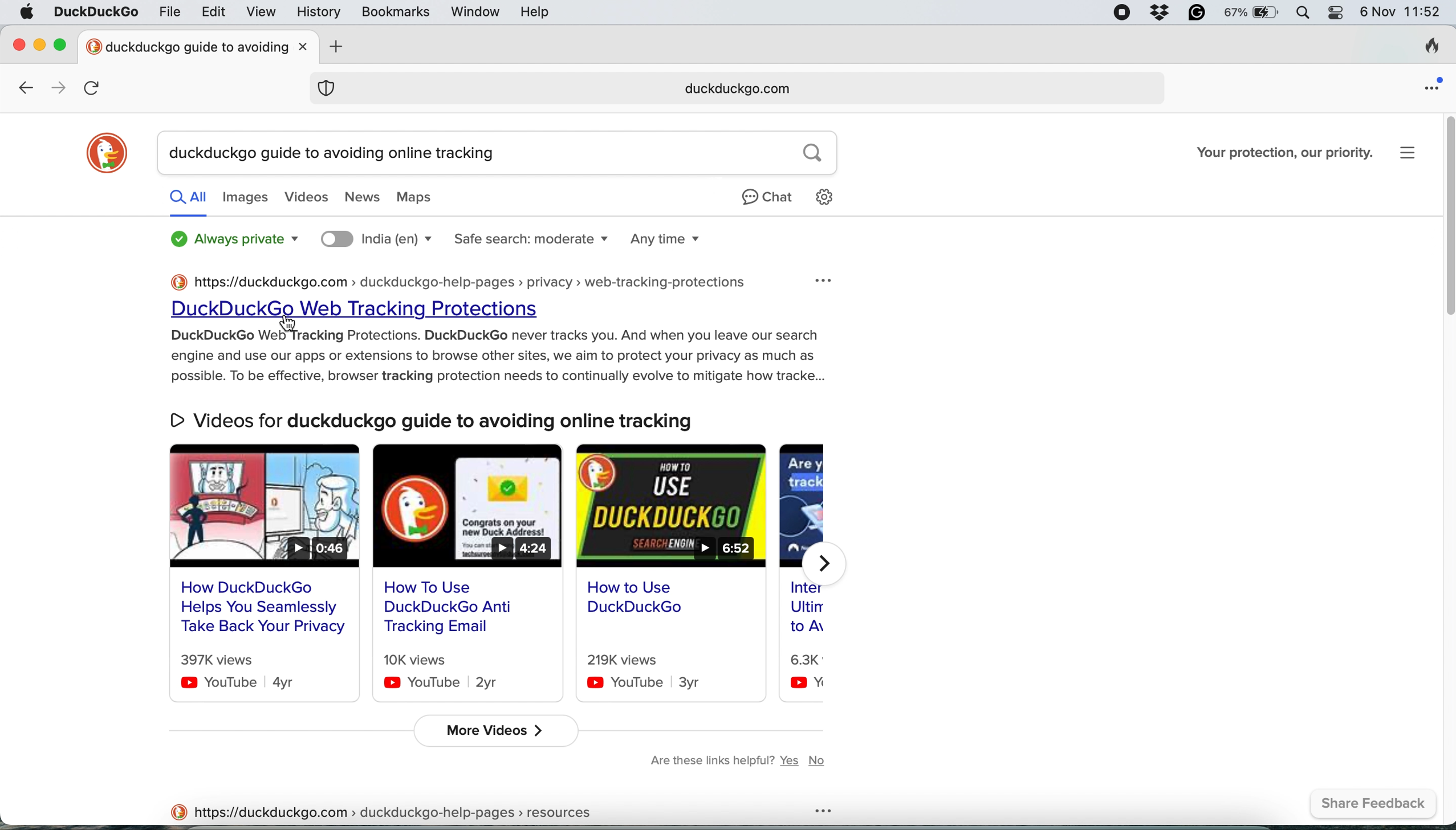  What do you see at coordinates (1370, 807) in the screenshot?
I see `share feedback` at bounding box center [1370, 807].